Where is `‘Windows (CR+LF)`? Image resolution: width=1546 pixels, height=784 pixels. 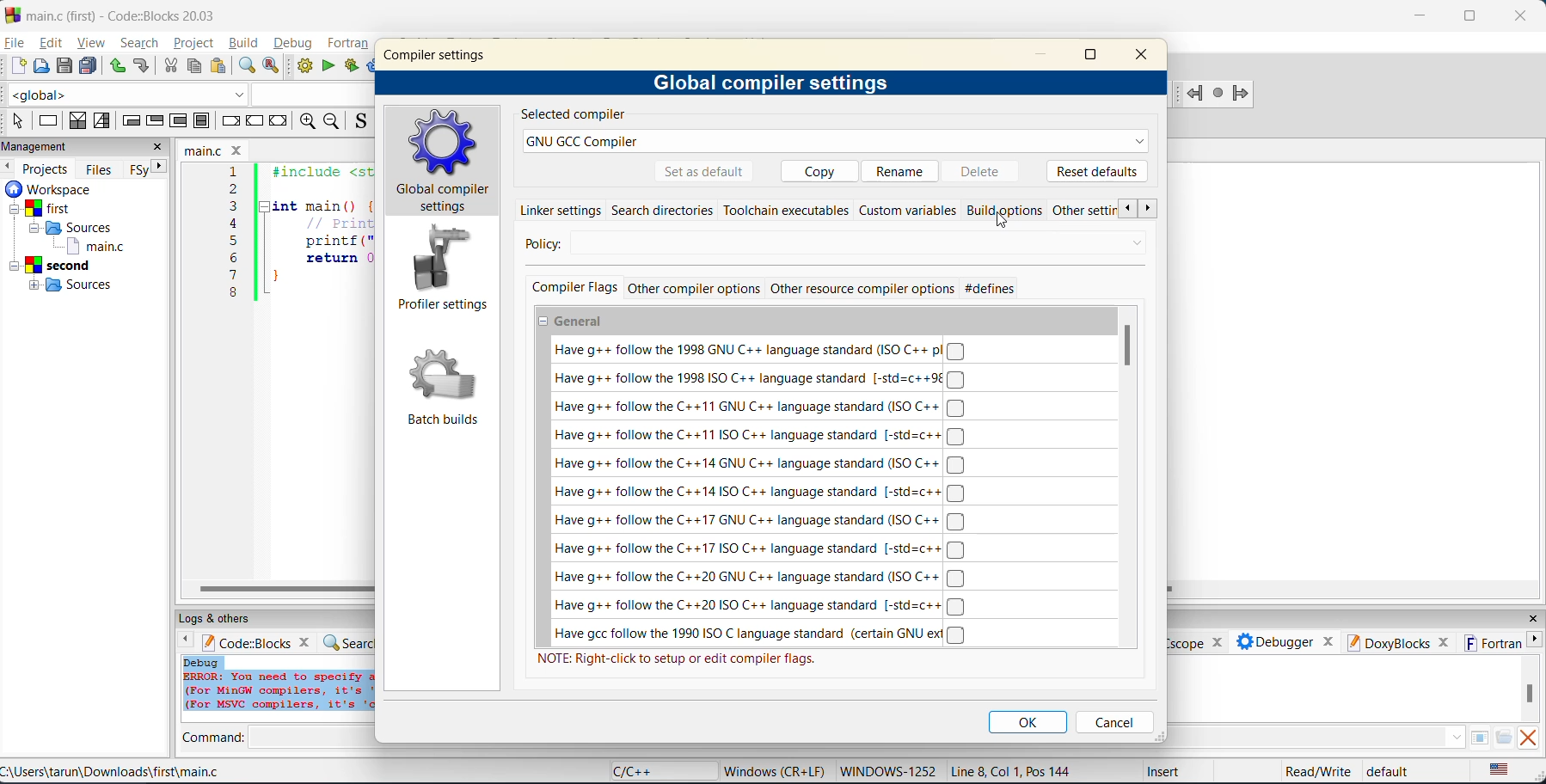 ‘Windows (CR+LF) is located at coordinates (772, 769).